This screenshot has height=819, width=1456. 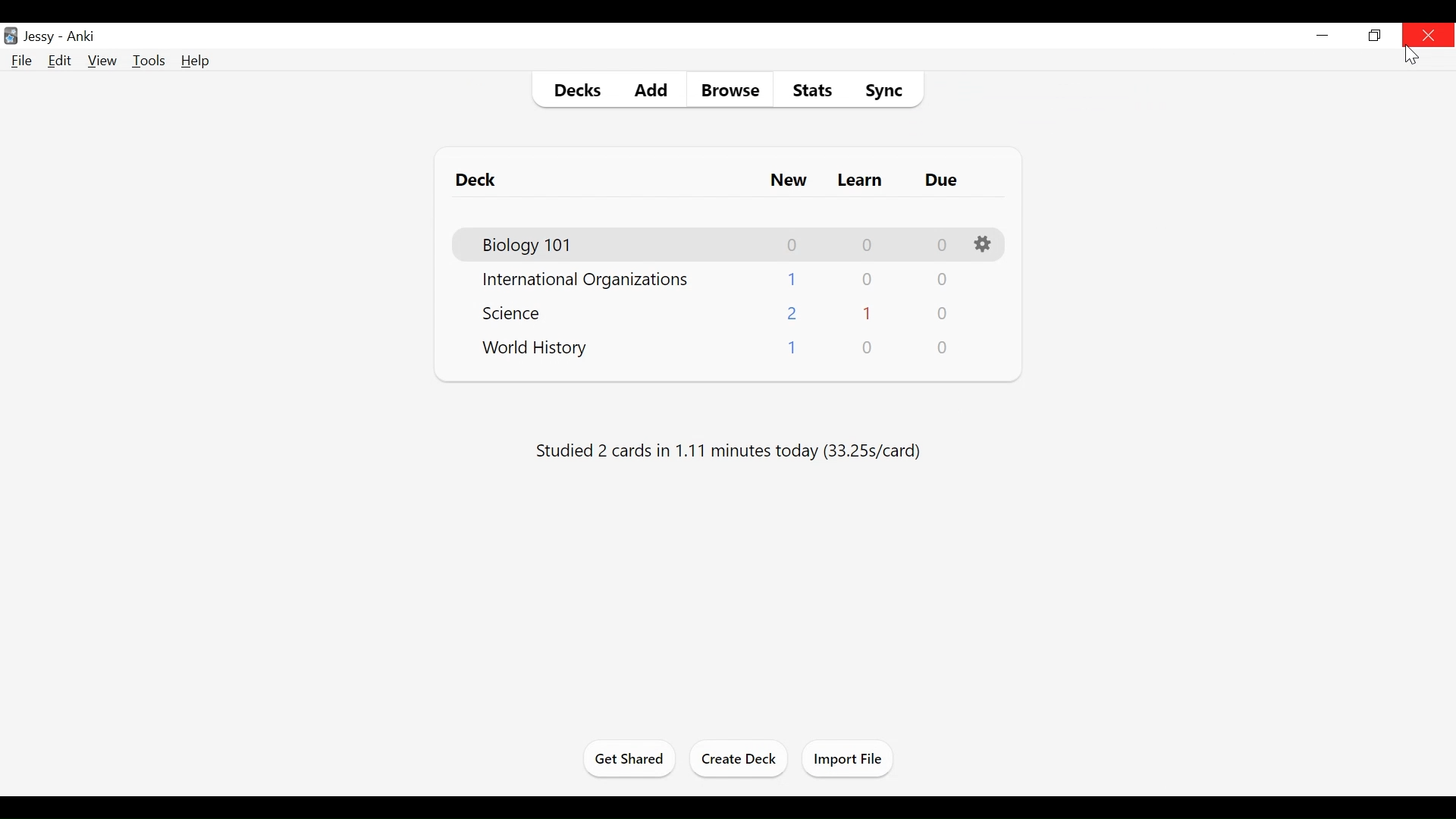 What do you see at coordinates (1323, 35) in the screenshot?
I see `minimize` at bounding box center [1323, 35].